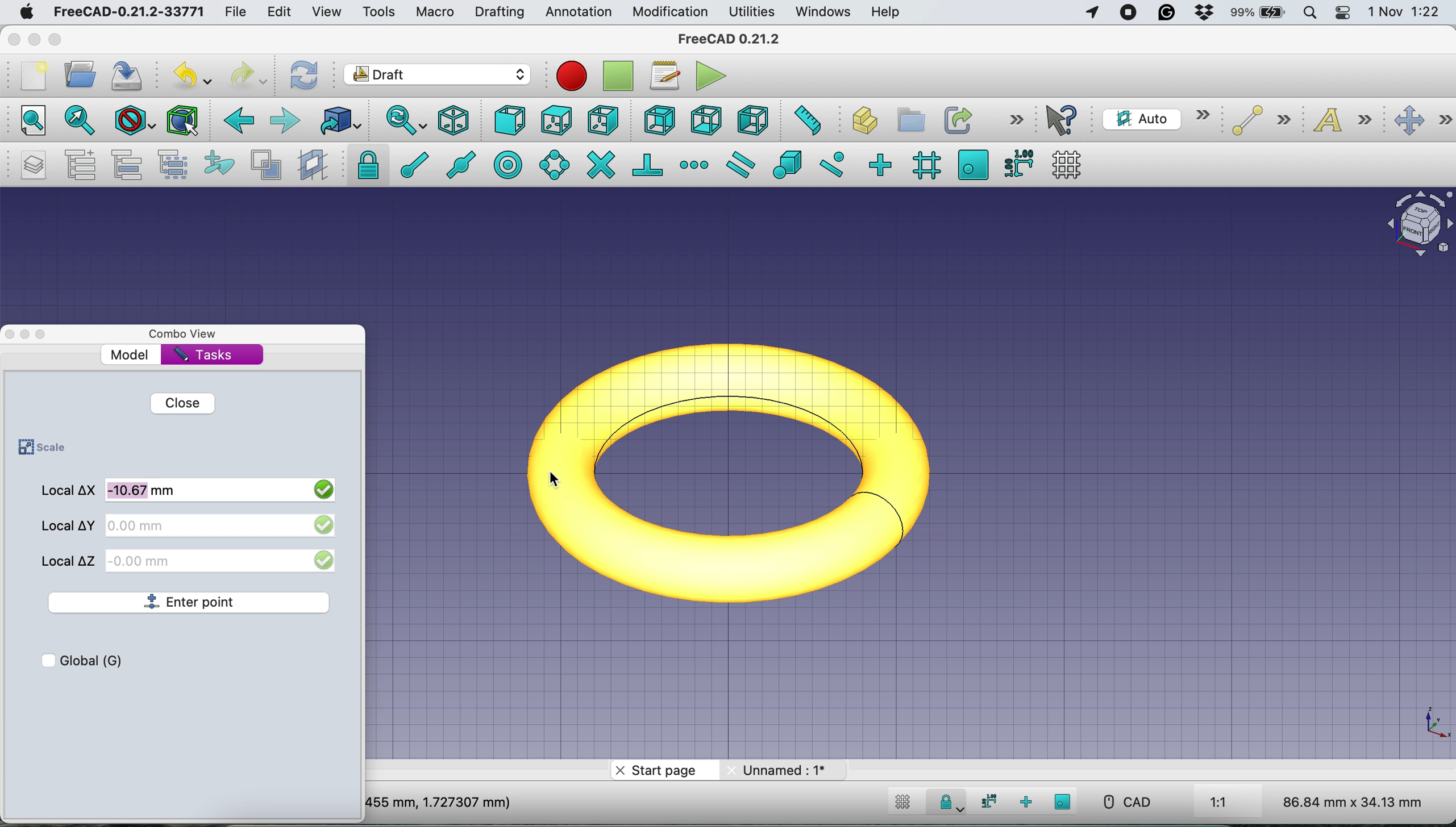 The width and height of the screenshot is (1456, 827). I want to click on toggle normal/wireframe display, so click(265, 165).